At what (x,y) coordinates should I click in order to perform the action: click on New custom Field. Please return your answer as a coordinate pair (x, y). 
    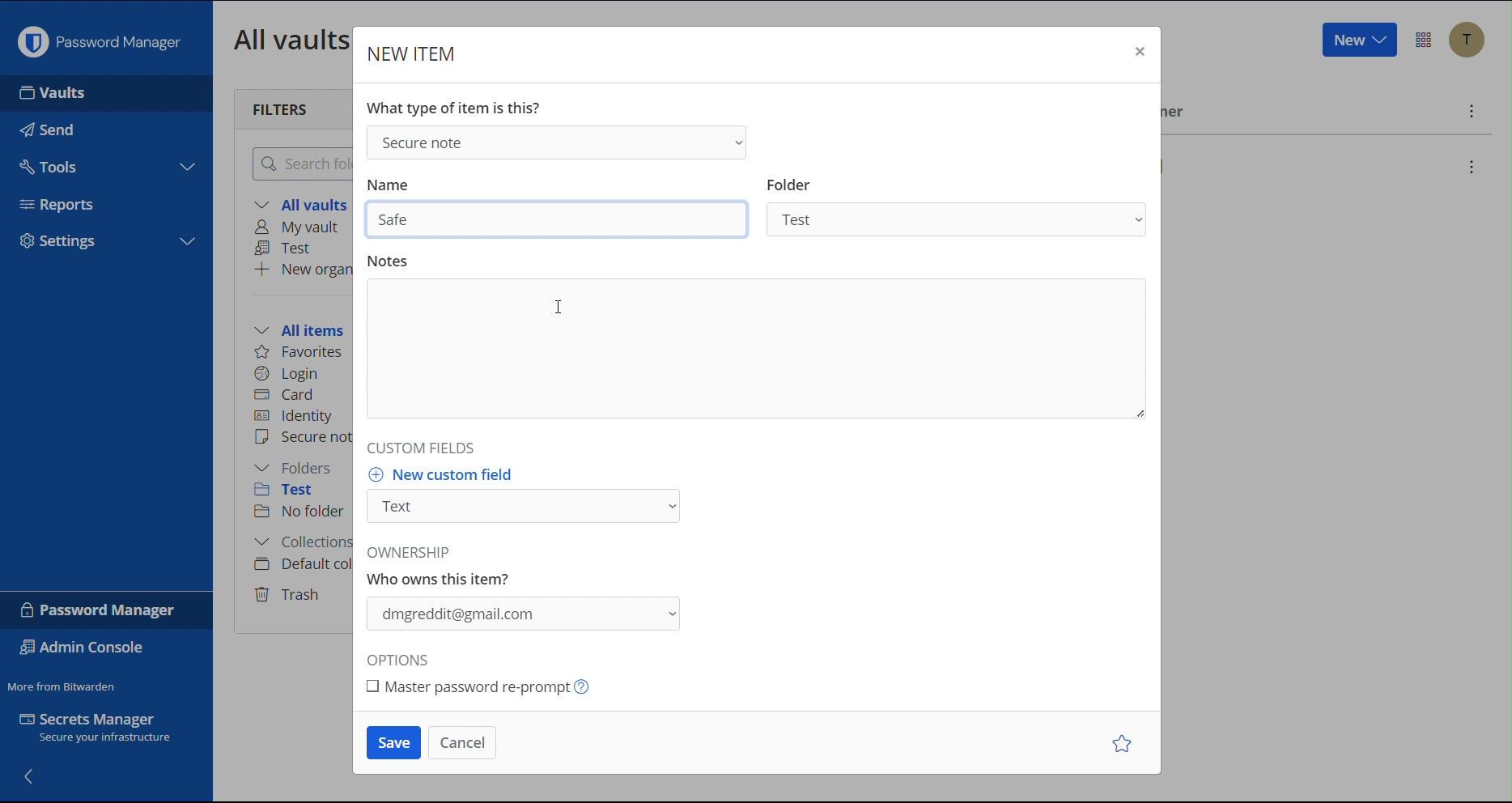
    Looking at the image, I should click on (525, 507).